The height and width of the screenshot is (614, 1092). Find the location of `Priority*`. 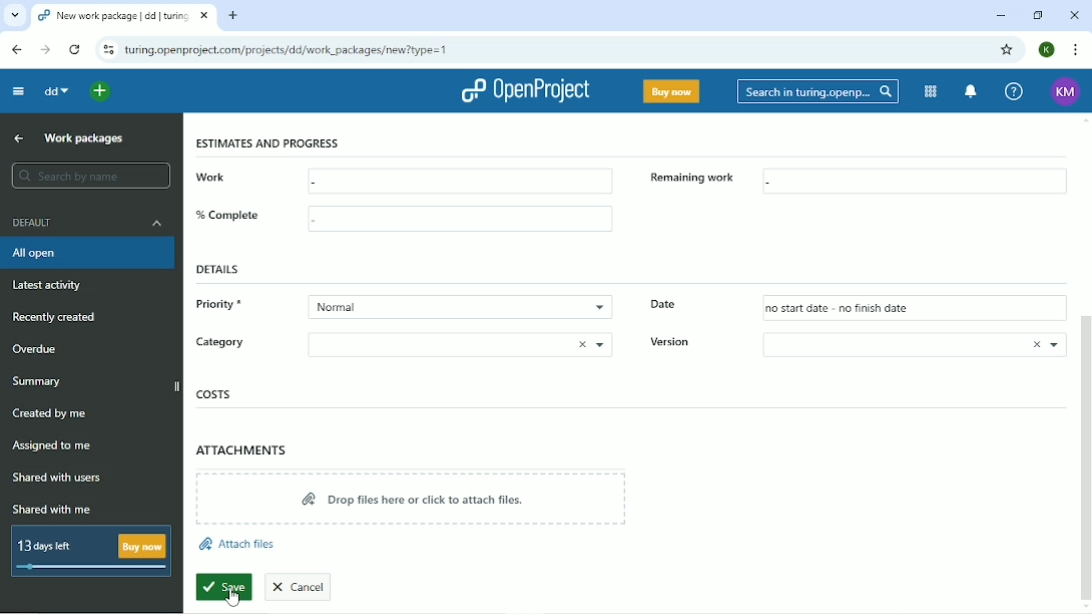

Priority* is located at coordinates (234, 308).